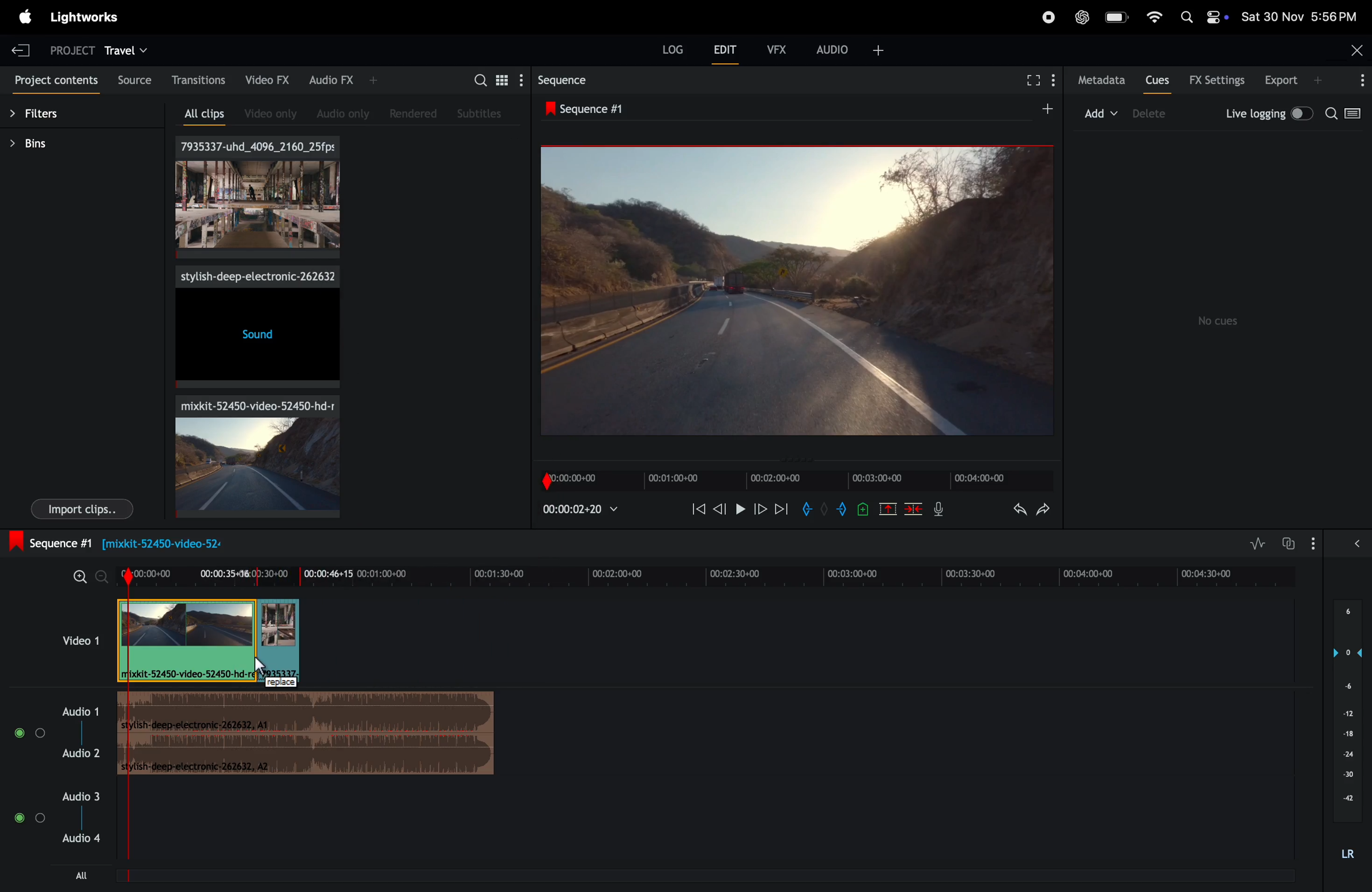 The height and width of the screenshot is (892, 1372). What do you see at coordinates (721, 509) in the screenshot?
I see `previous frame` at bounding box center [721, 509].